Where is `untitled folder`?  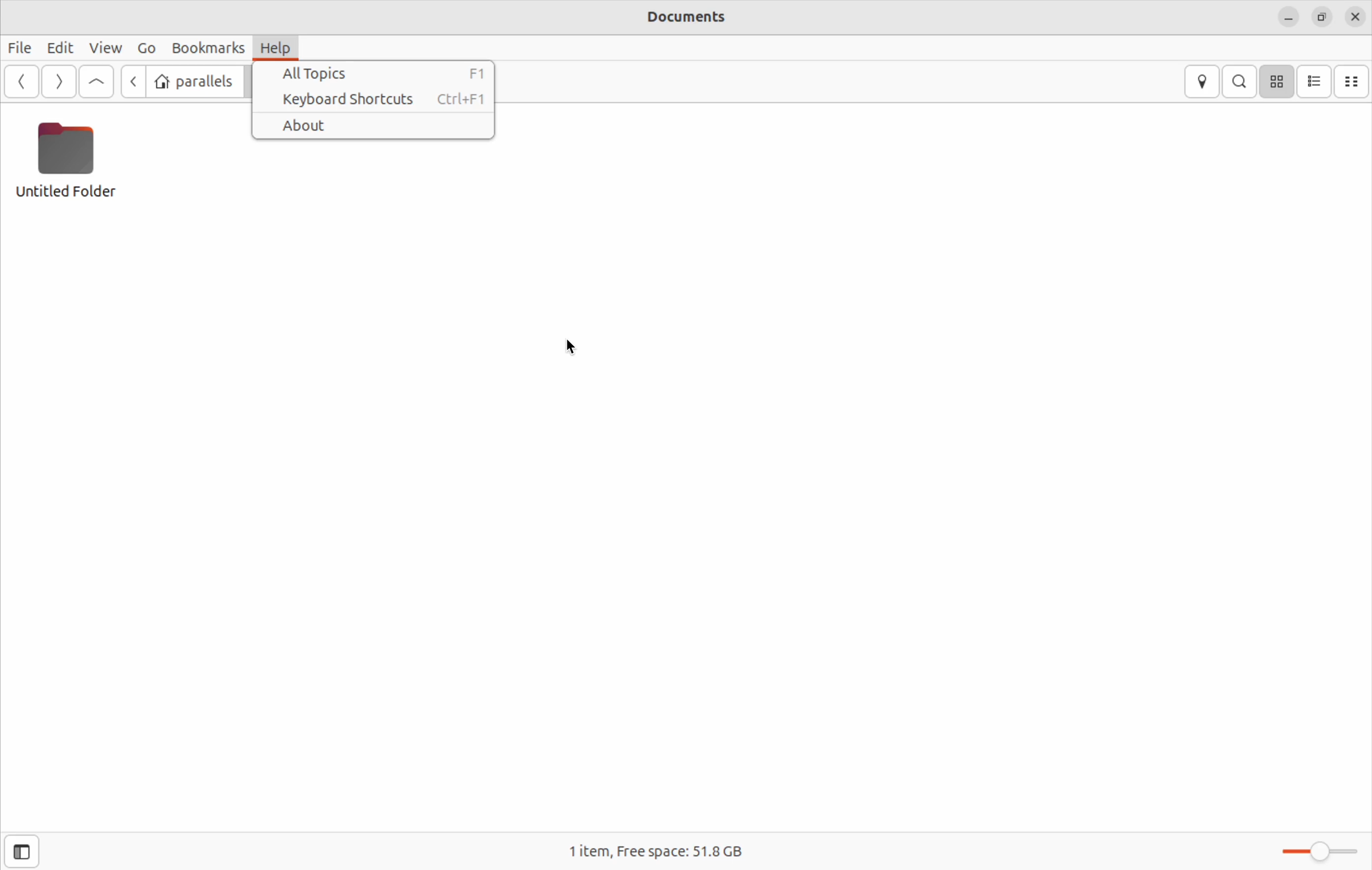 untitled folder is located at coordinates (76, 168).